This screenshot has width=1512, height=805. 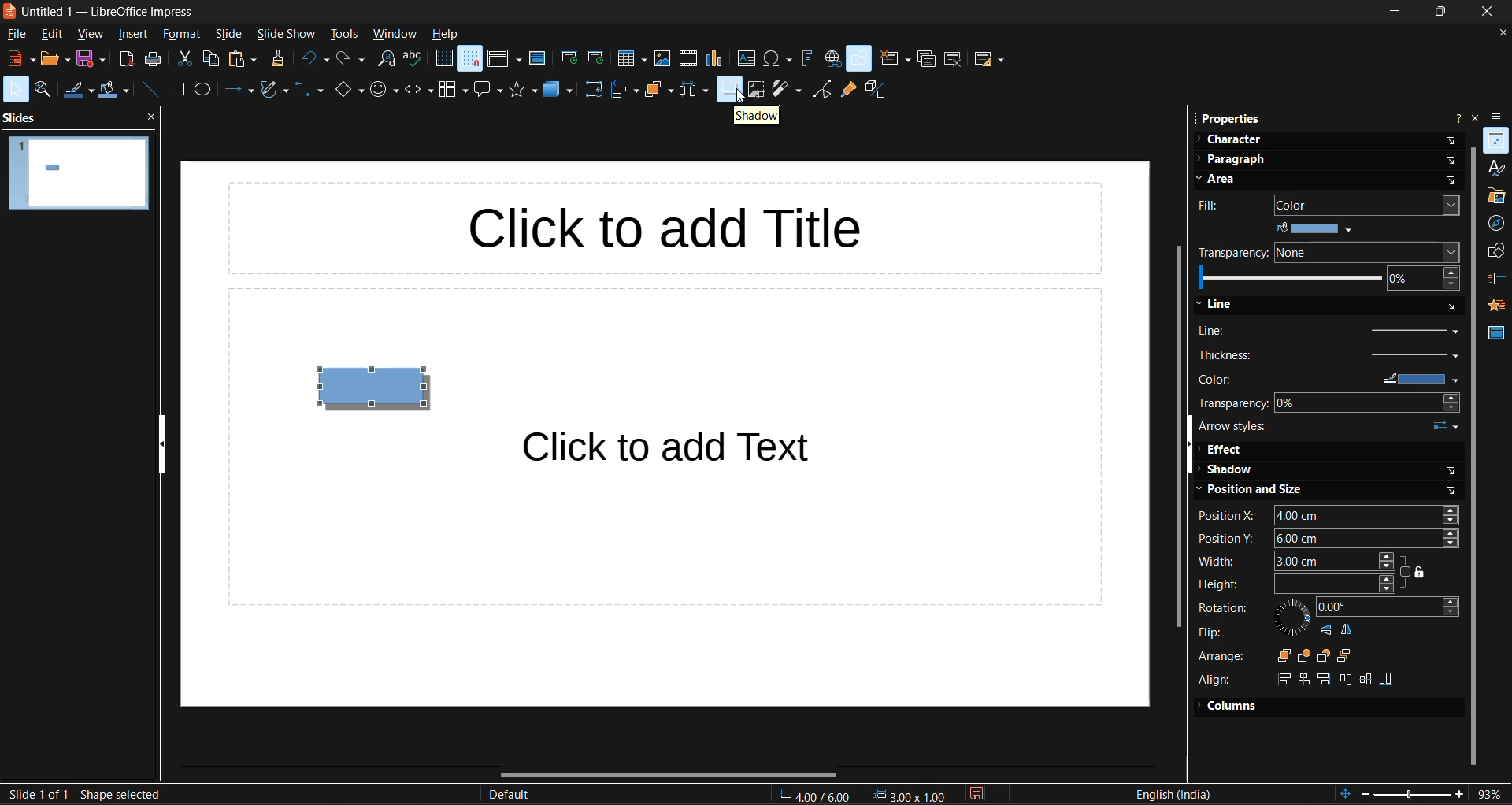 I want to click on master slides, so click(x=1495, y=336).